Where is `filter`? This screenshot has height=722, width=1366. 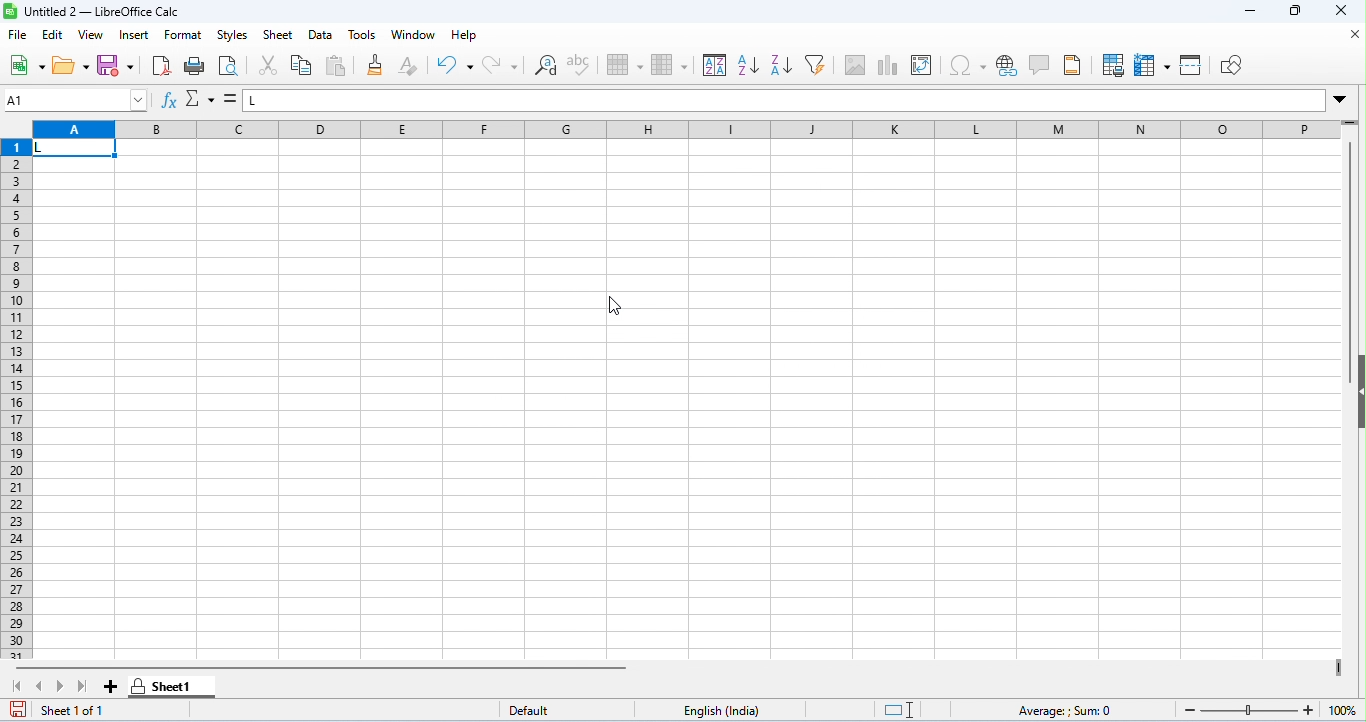 filter is located at coordinates (815, 65).